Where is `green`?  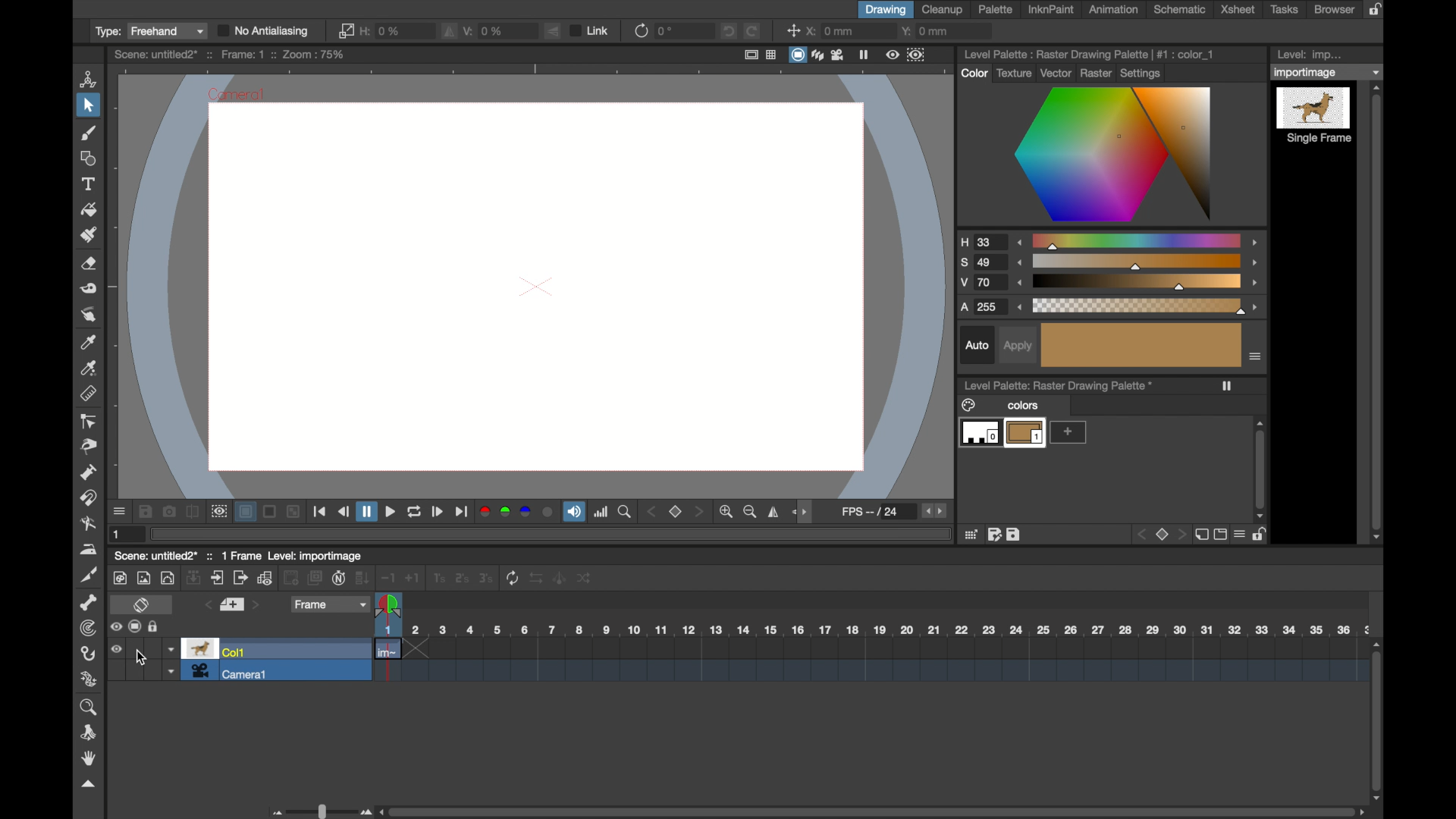
green is located at coordinates (504, 512).